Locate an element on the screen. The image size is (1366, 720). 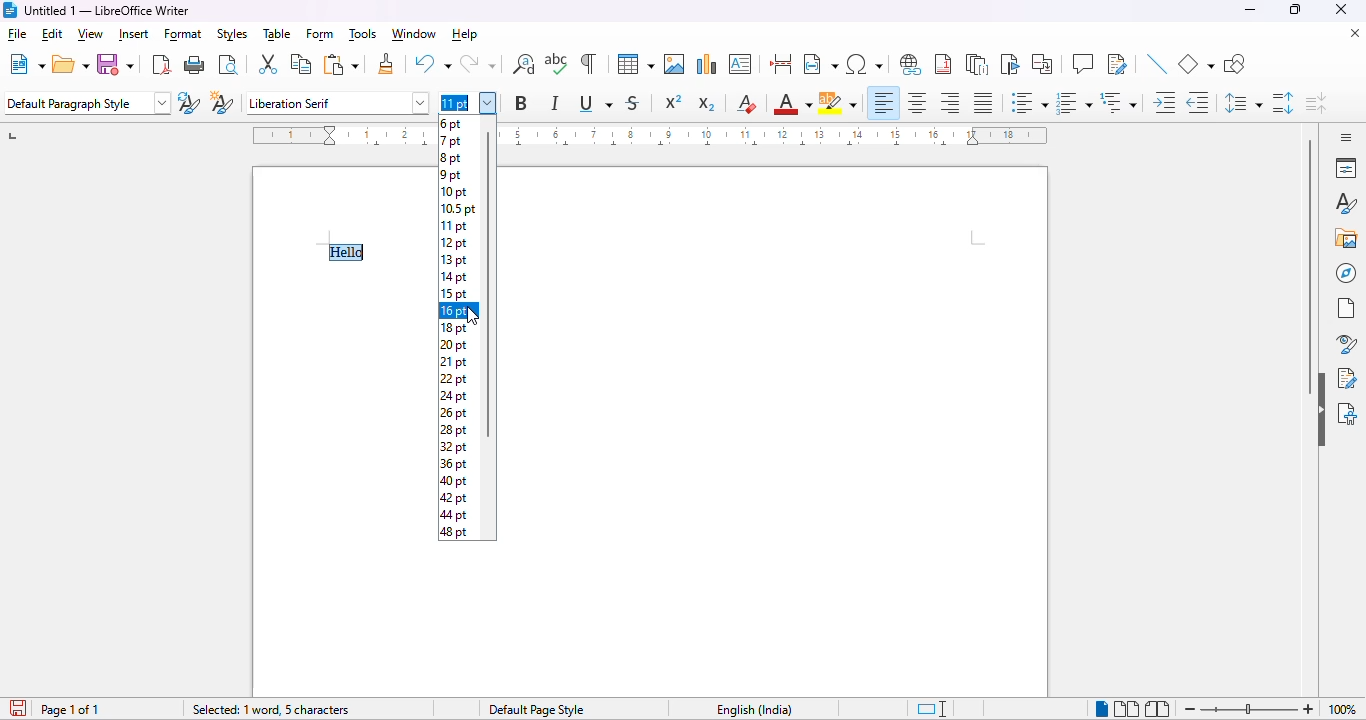
18 pt is located at coordinates (453, 330).